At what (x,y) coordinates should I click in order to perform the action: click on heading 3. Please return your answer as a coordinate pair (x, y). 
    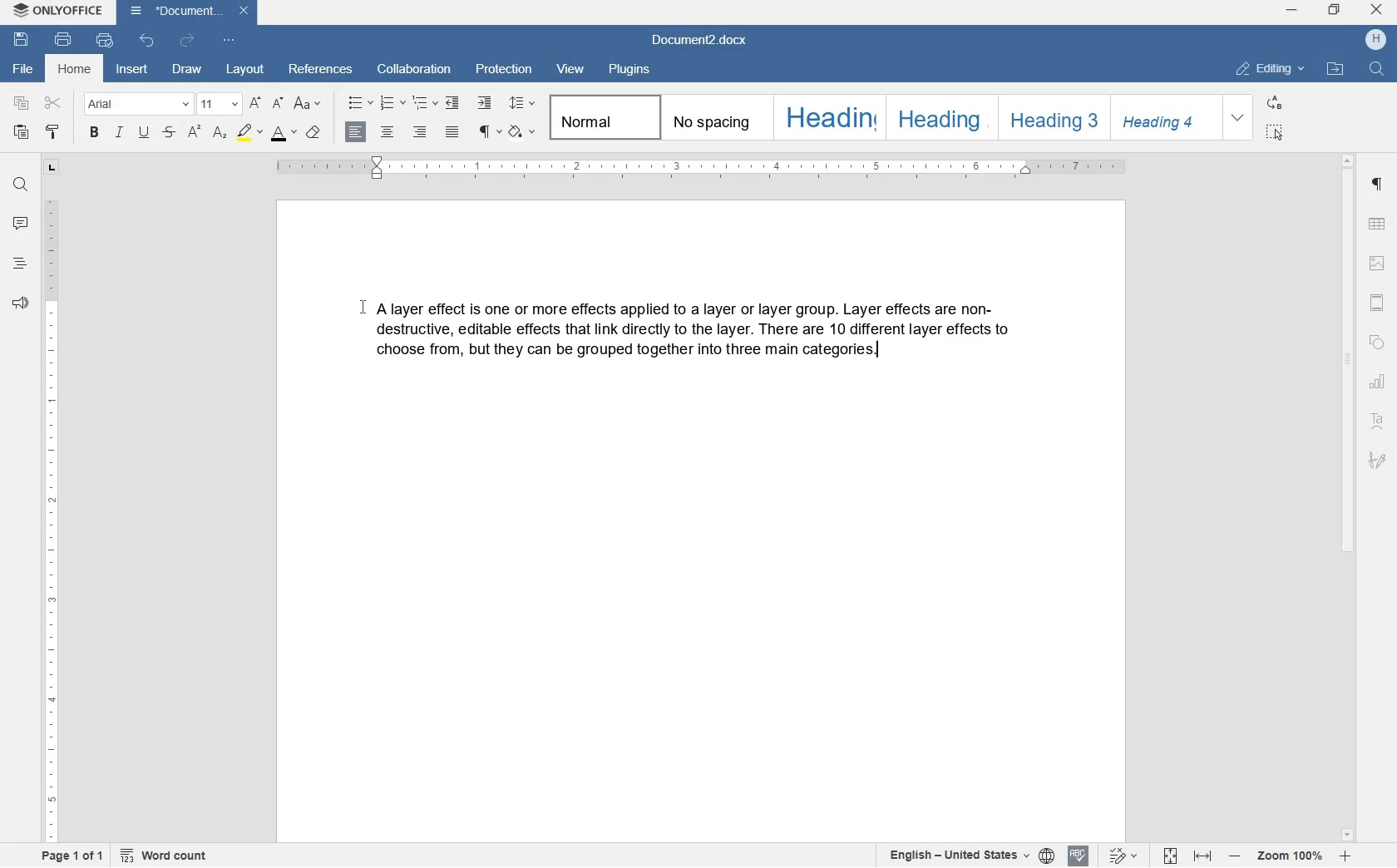
    Looking at the image, I should click on (1054, 118).